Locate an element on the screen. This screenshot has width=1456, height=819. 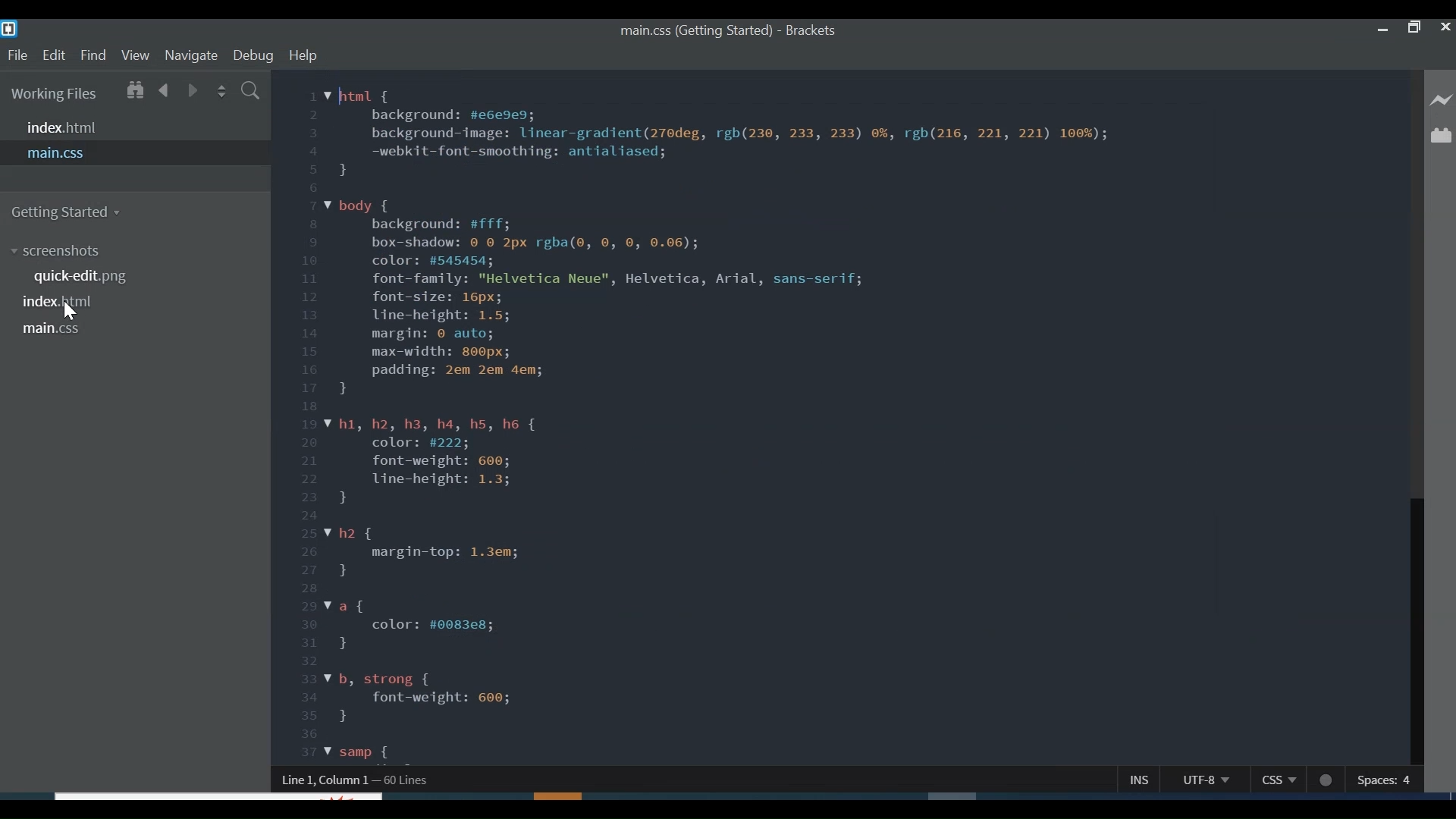
Navigate is located at coordinates (190, 57).